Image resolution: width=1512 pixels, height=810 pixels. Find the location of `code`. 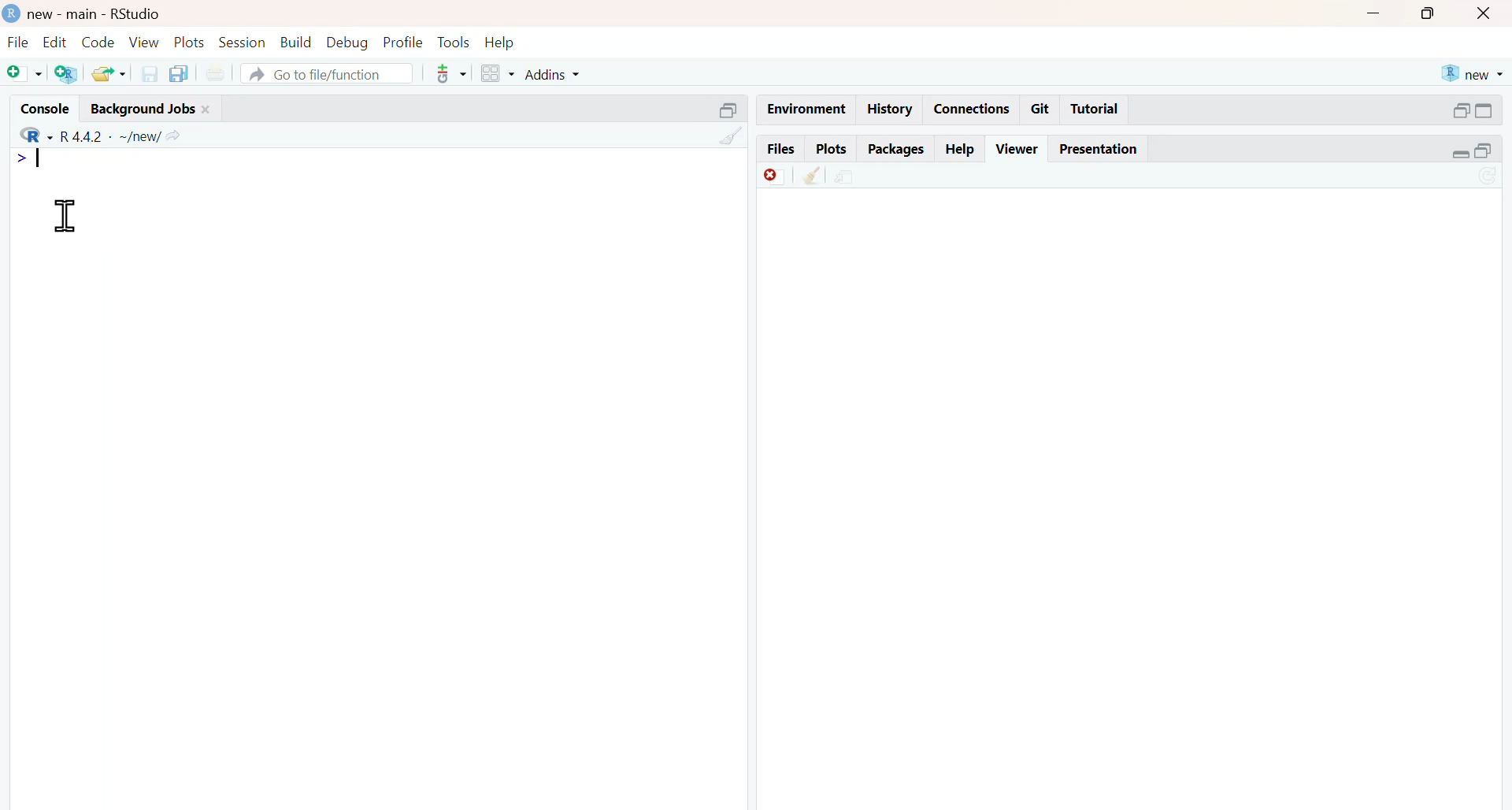

code is located at coordinates (98, 42).